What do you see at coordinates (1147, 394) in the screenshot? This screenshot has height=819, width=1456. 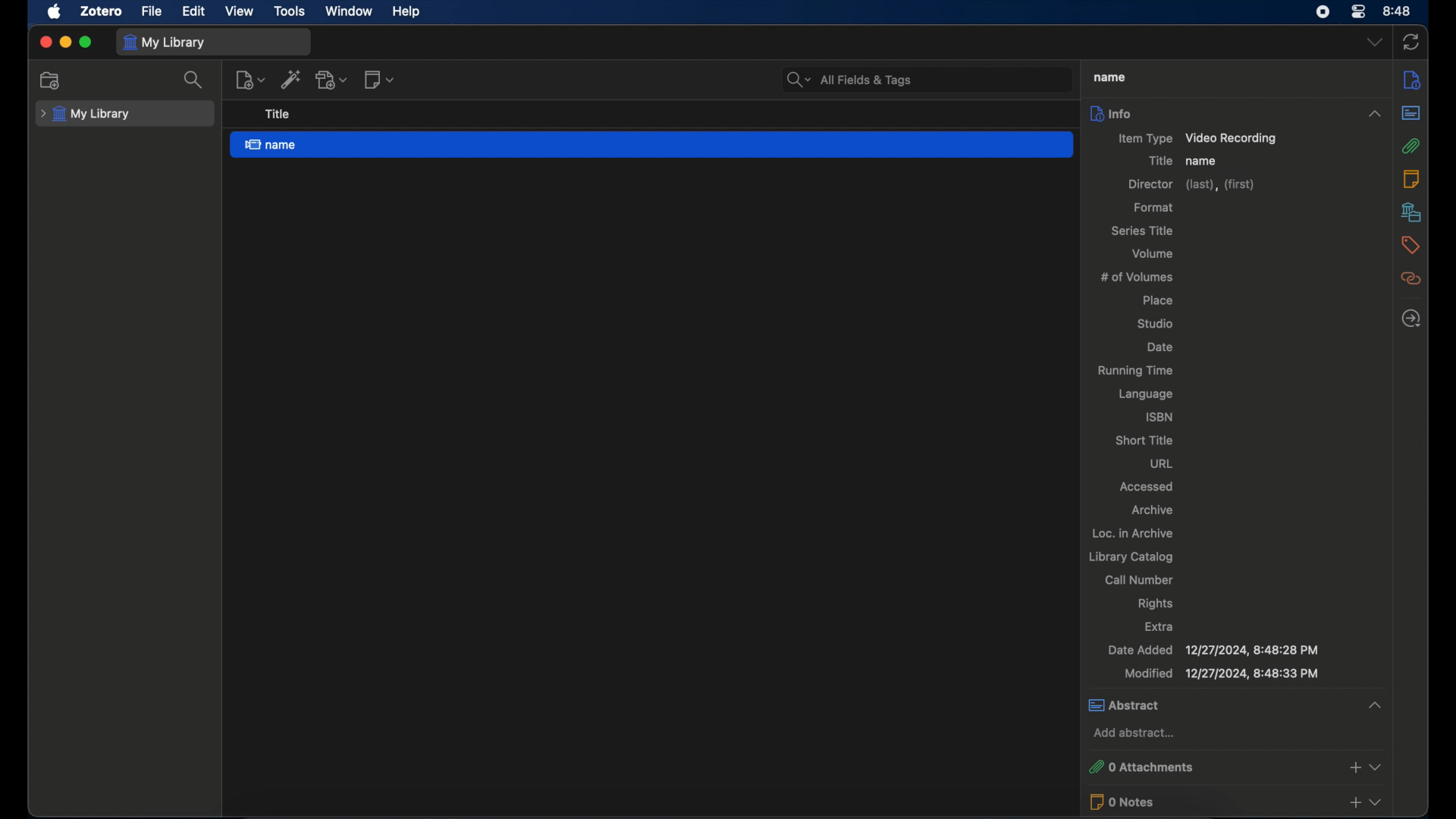 I see `language` at bounding box center [1147, 394].